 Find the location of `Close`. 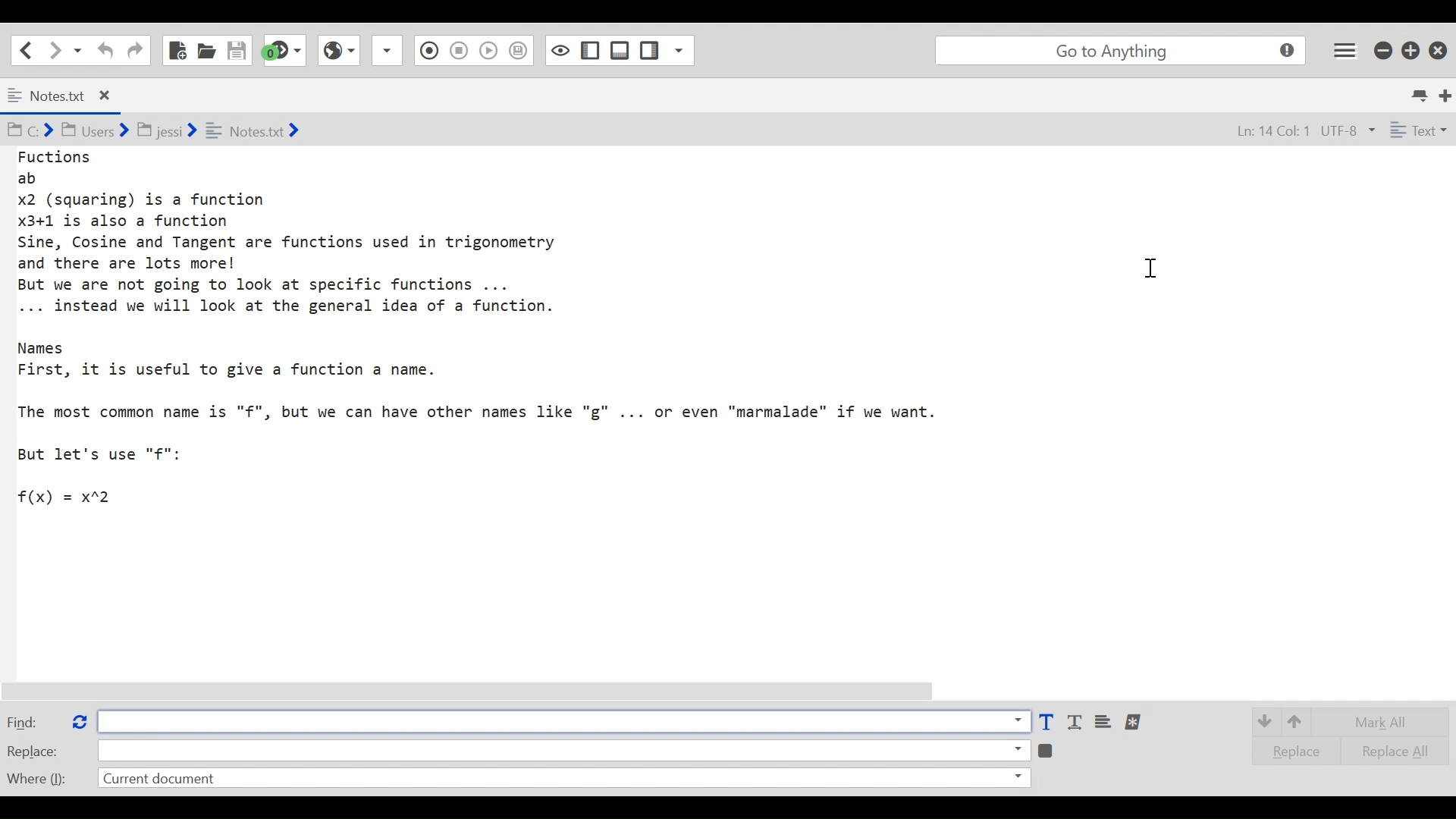

Close is located at coordinates (1440, 47).